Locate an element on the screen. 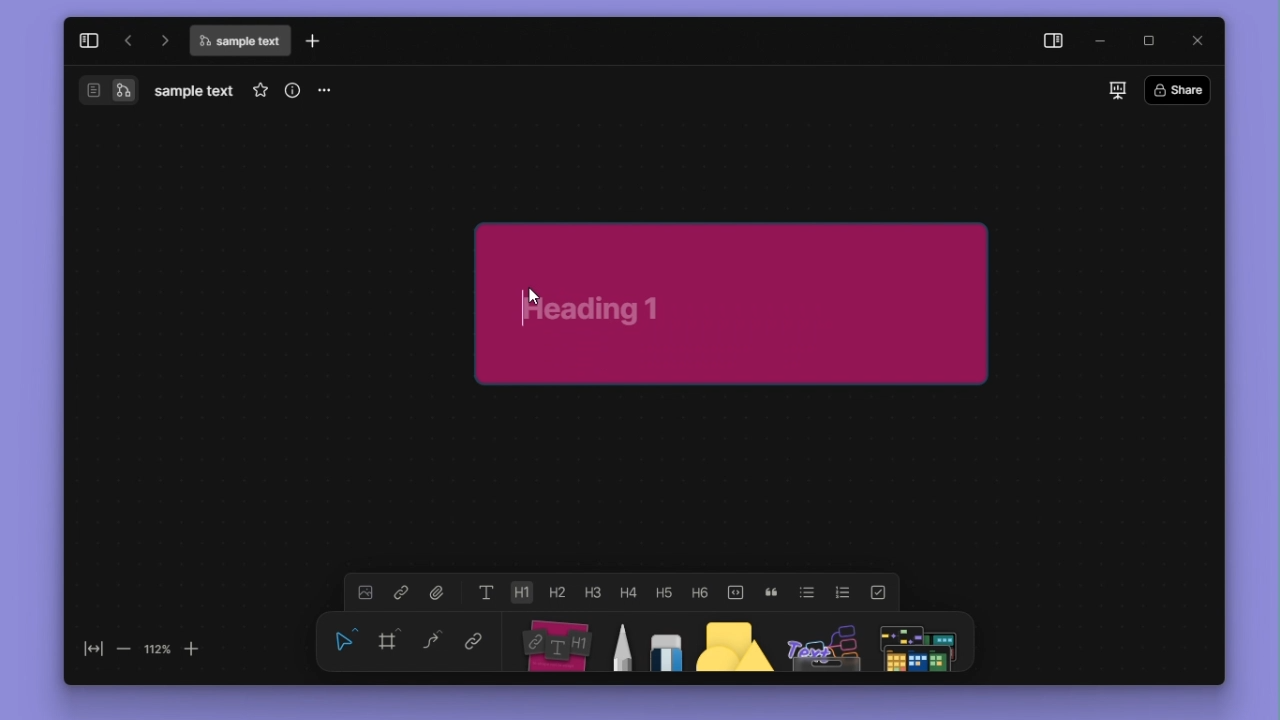  fit to screen is located at coordinates (94, 649).